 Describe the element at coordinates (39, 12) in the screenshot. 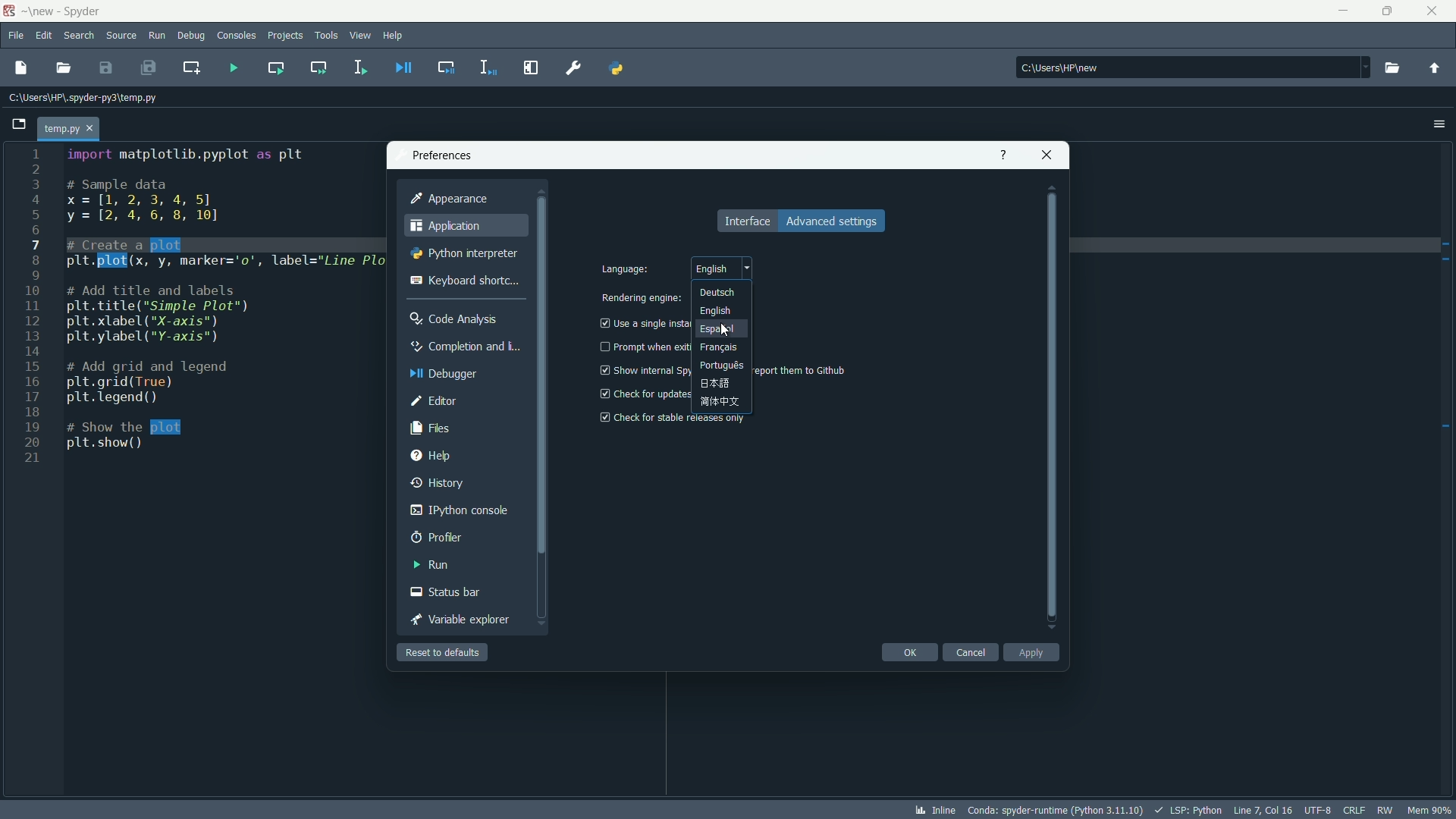

I see `folder name` at that location.